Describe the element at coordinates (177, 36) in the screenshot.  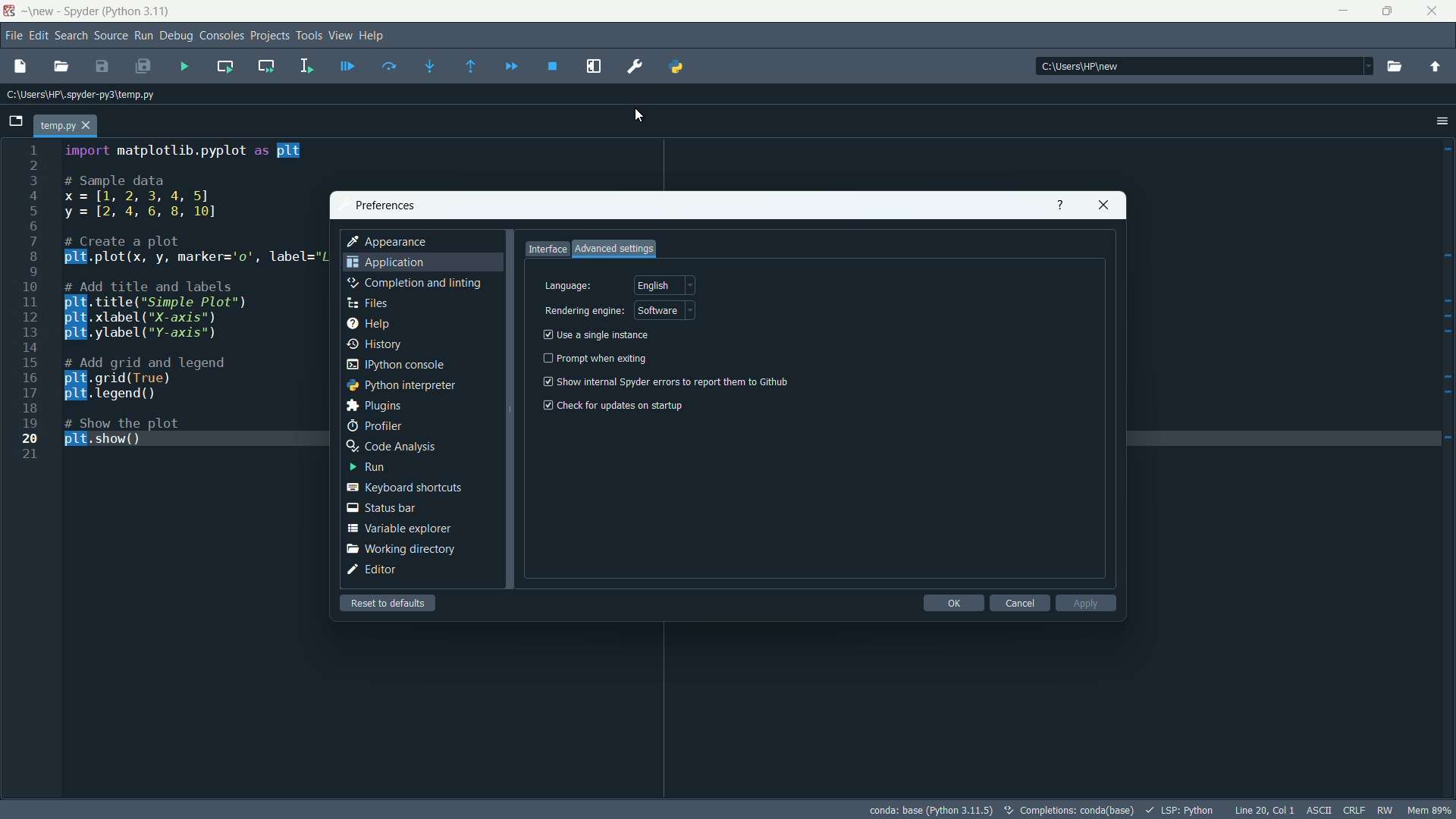
I see `debug` at that location.